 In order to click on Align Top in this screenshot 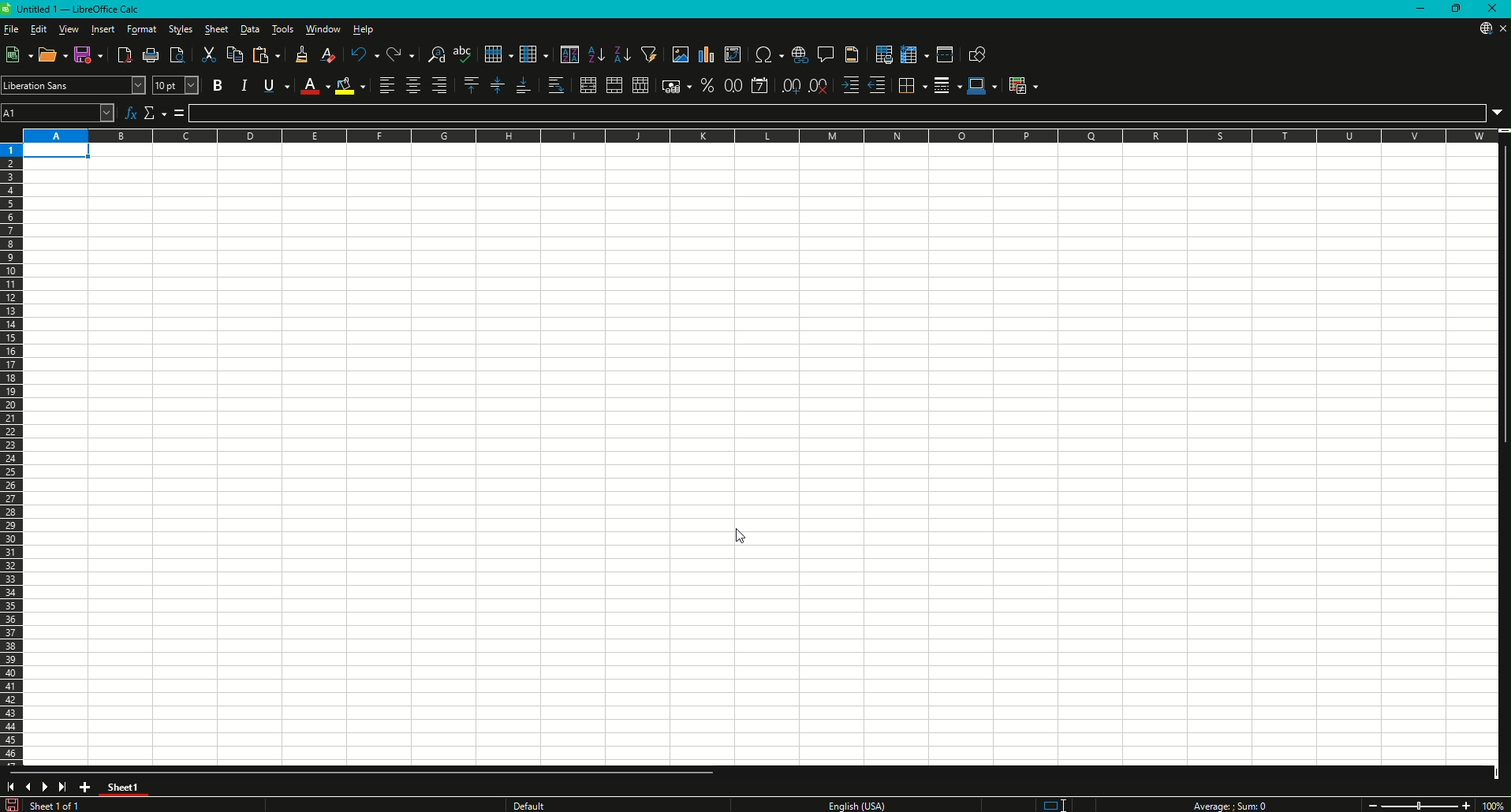, I will do `click(472, 85)`.